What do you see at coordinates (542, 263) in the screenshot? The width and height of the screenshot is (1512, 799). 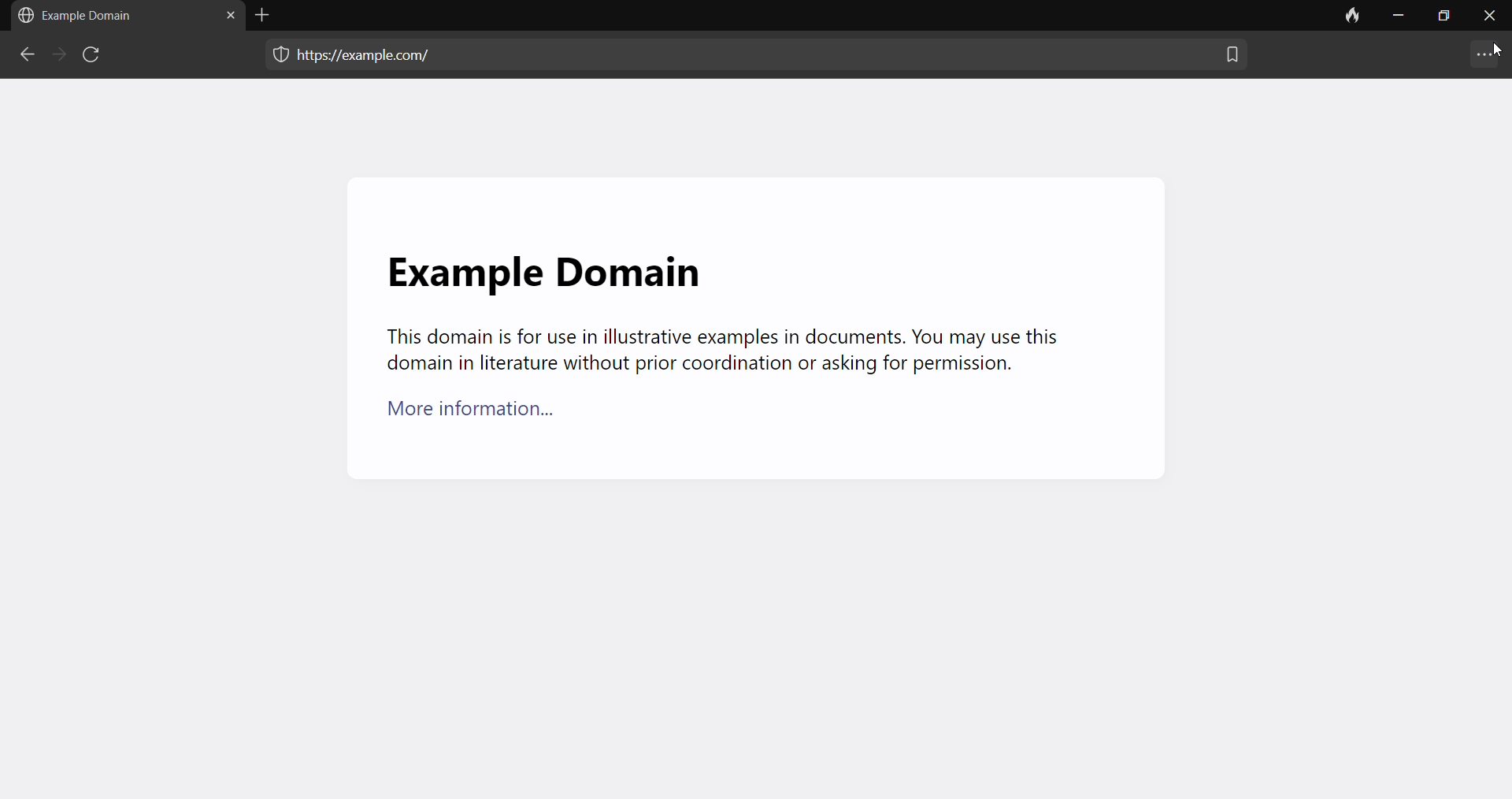 I see `Example Domain` at bounding box center [542, 263].